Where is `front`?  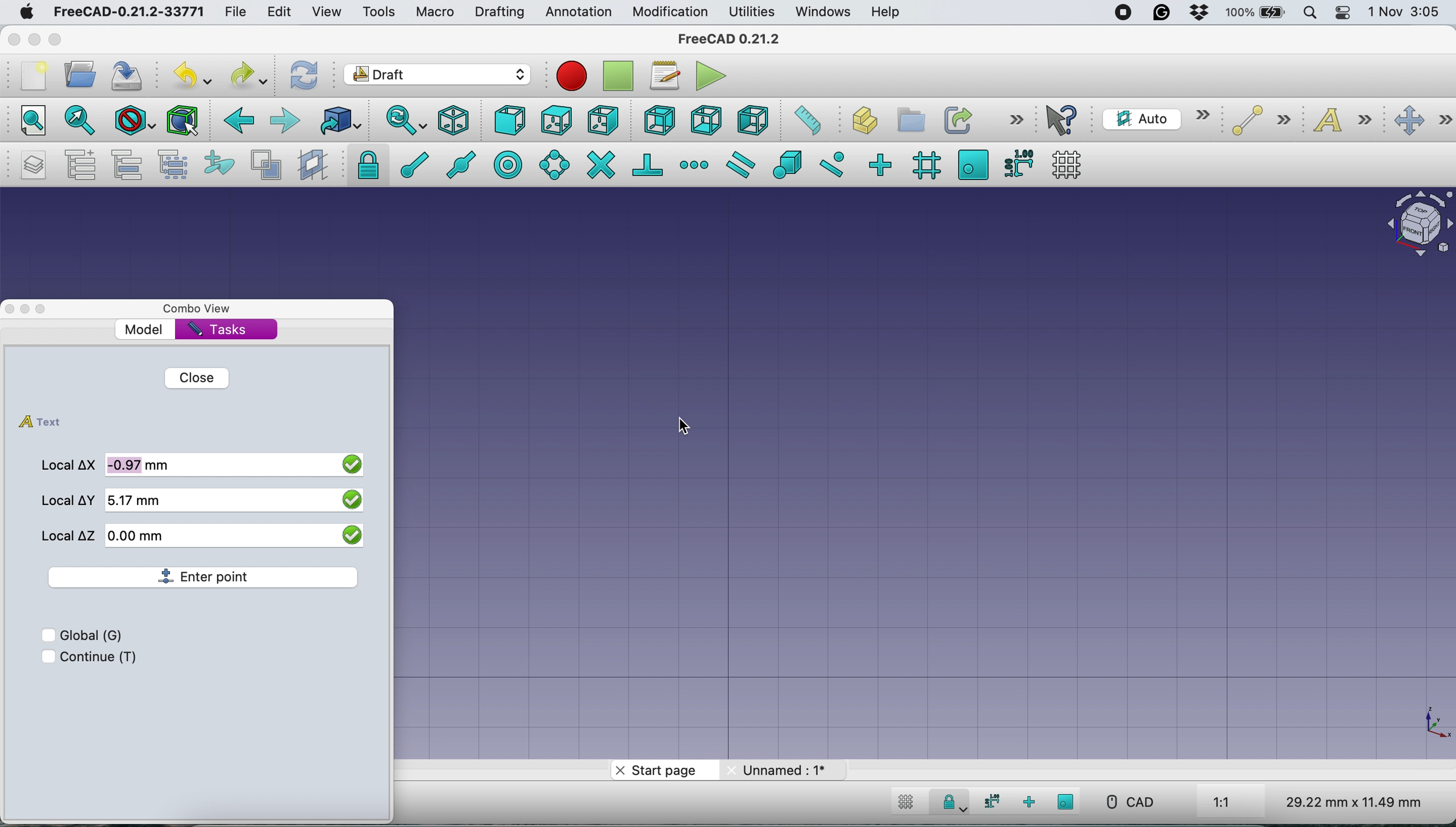
front is located at coordinates (506, 119).